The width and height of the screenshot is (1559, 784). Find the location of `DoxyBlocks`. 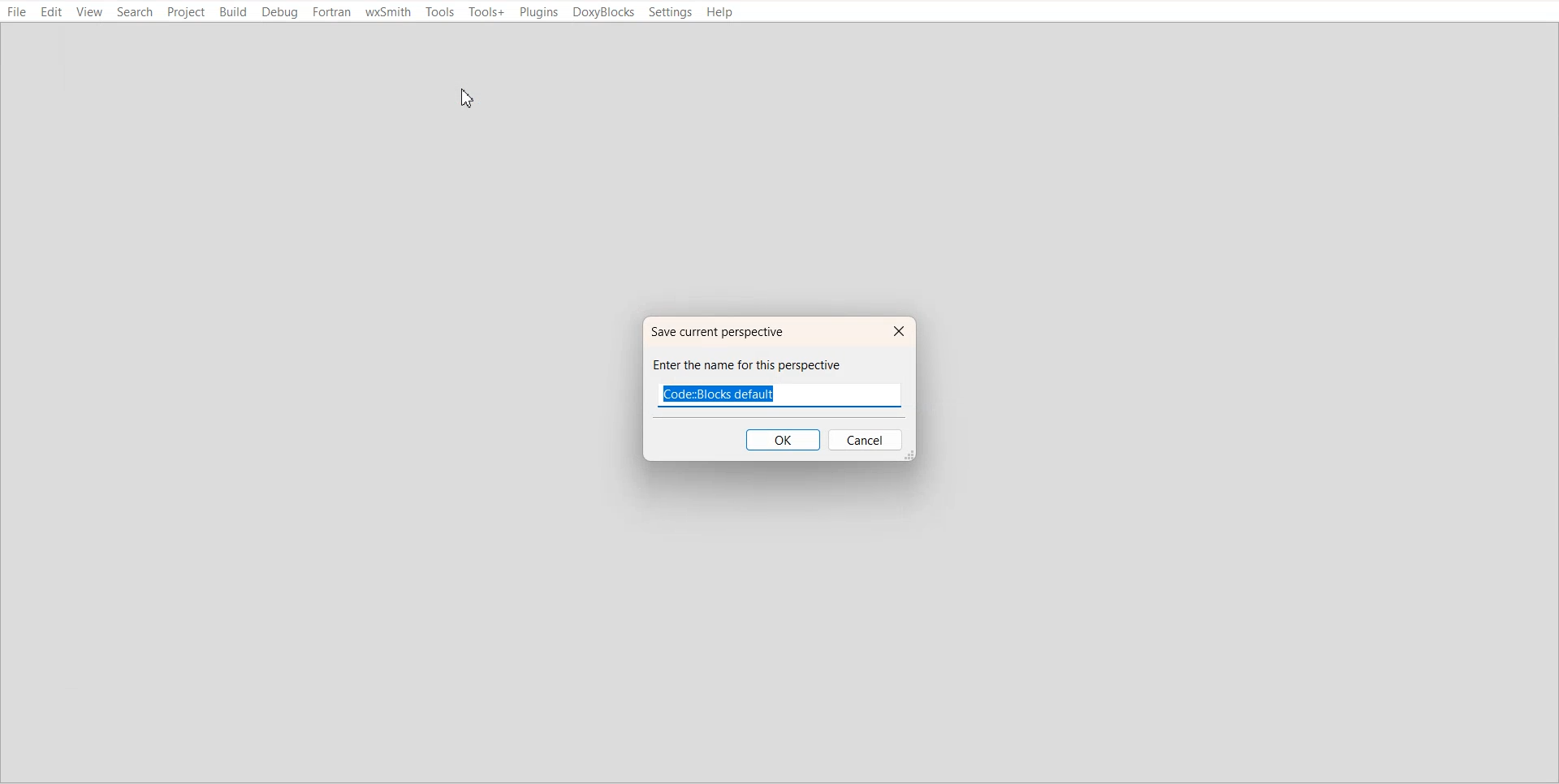

DoxyBlocks is located at coordinates (604, 13).